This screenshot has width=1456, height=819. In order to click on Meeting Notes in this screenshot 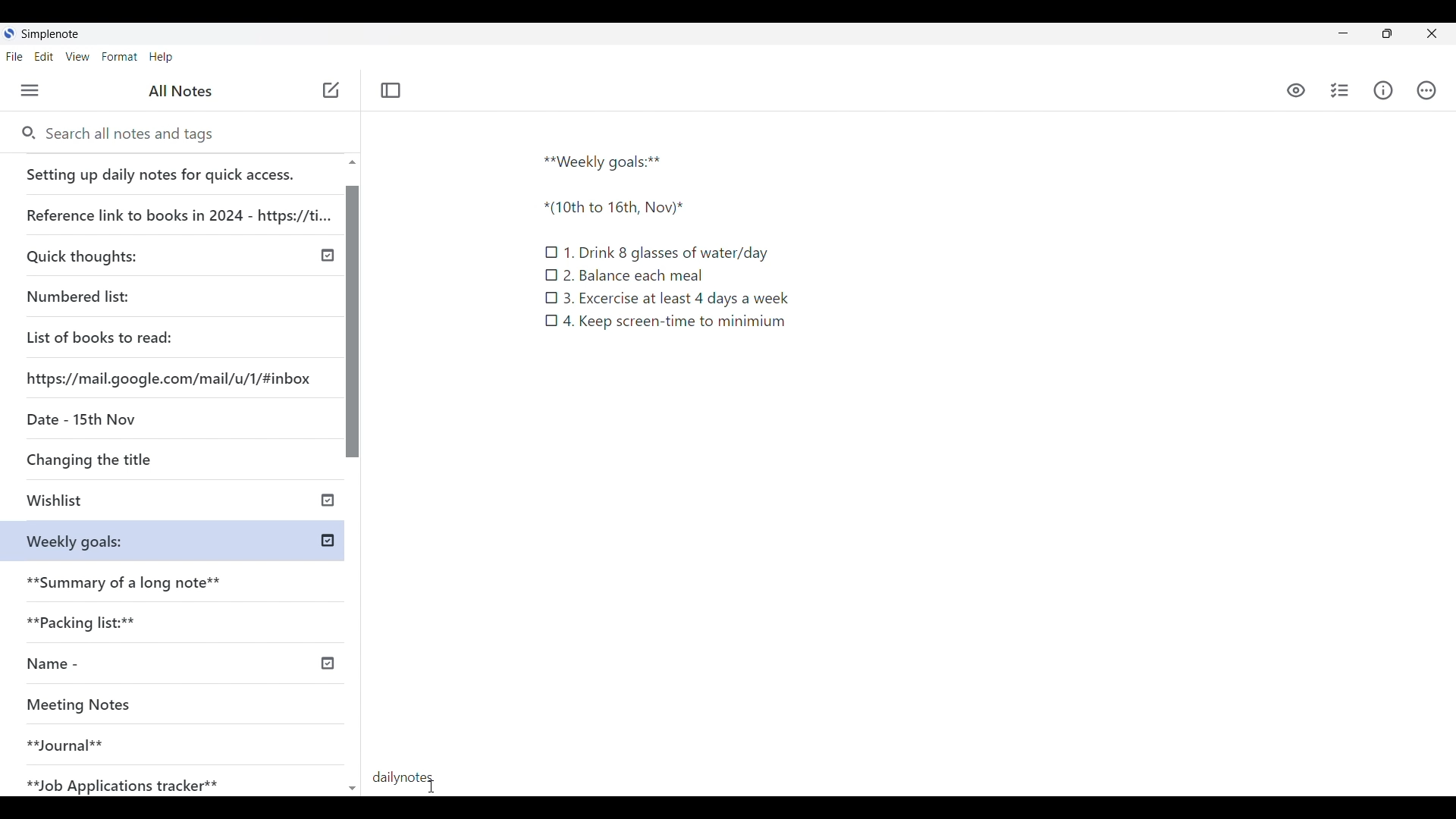, I will do `click(153, 706)`.